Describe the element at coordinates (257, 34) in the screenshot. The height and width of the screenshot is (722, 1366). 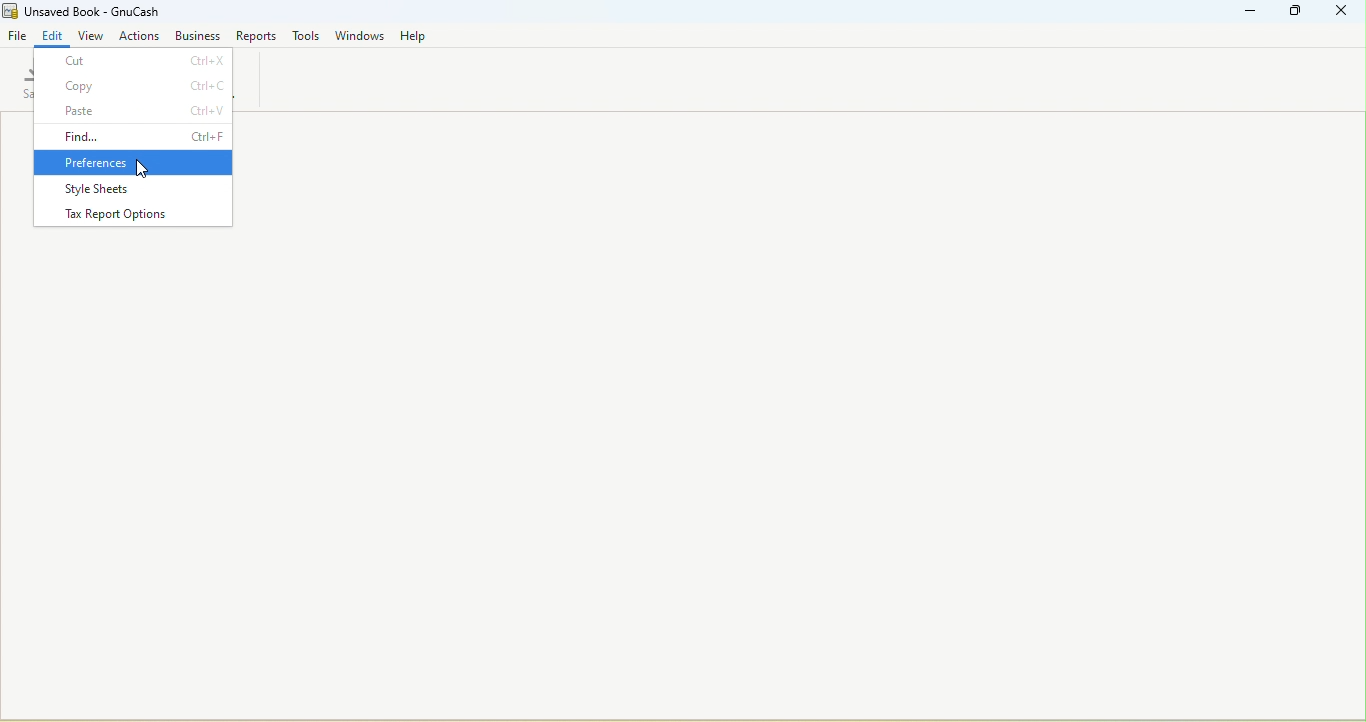
I see `reports` at that location.